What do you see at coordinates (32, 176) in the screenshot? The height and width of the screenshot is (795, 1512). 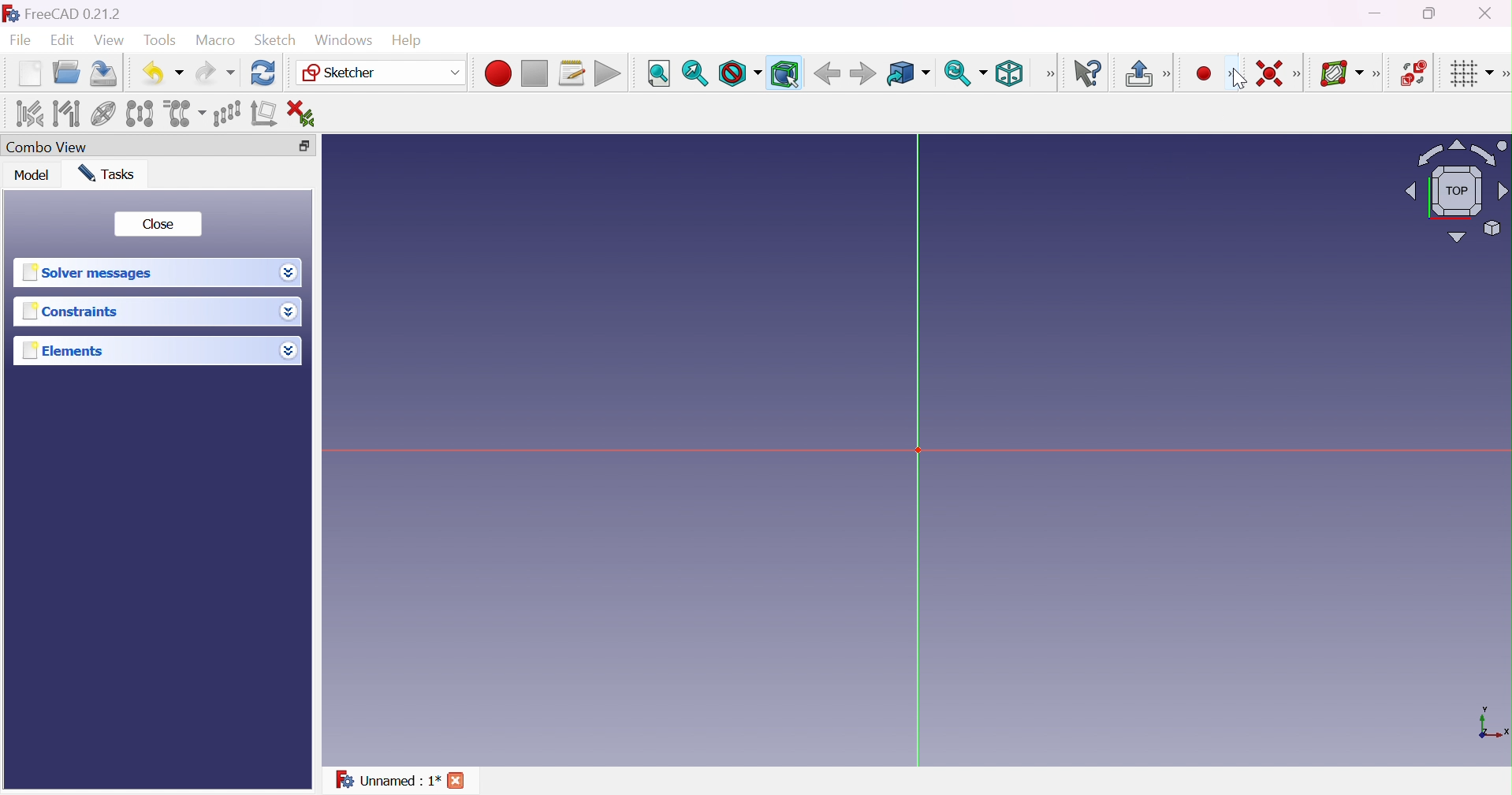 I see `Model` at bounding box center [32, 176].